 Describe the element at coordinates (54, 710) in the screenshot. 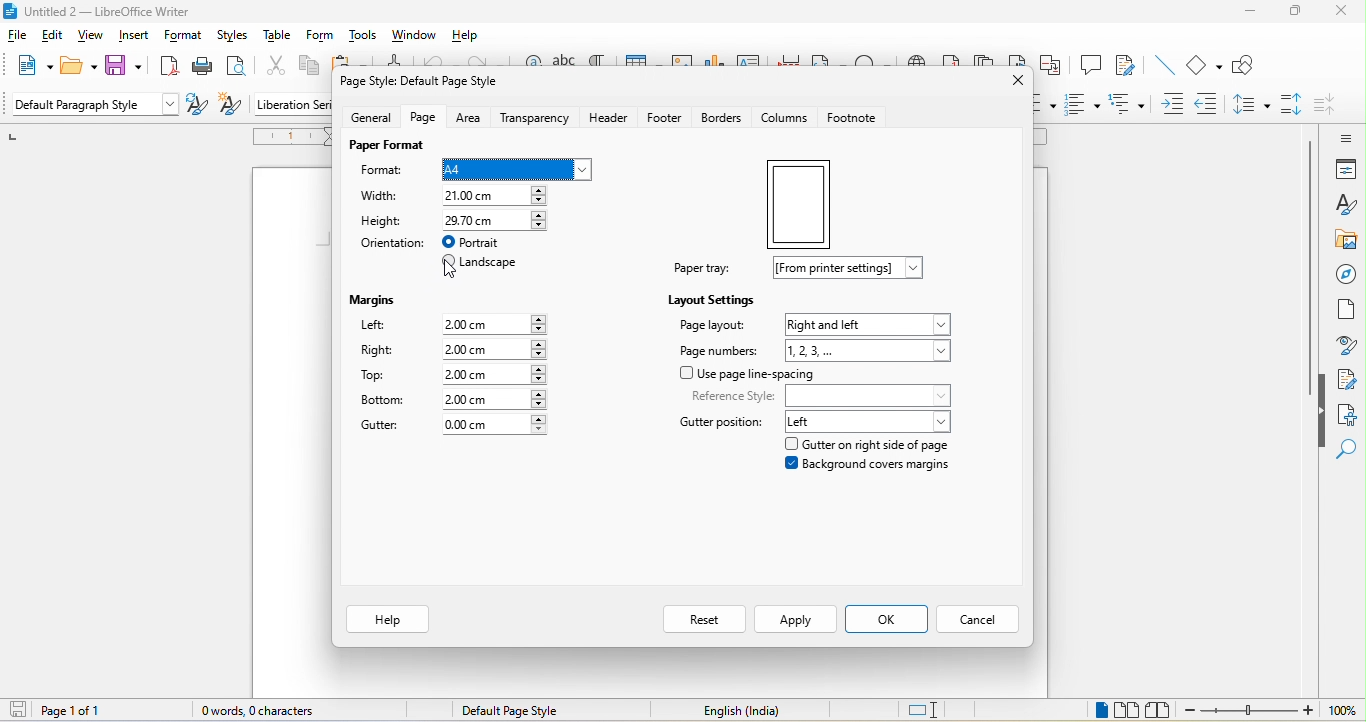

I see `page 1 of 1` at that location.